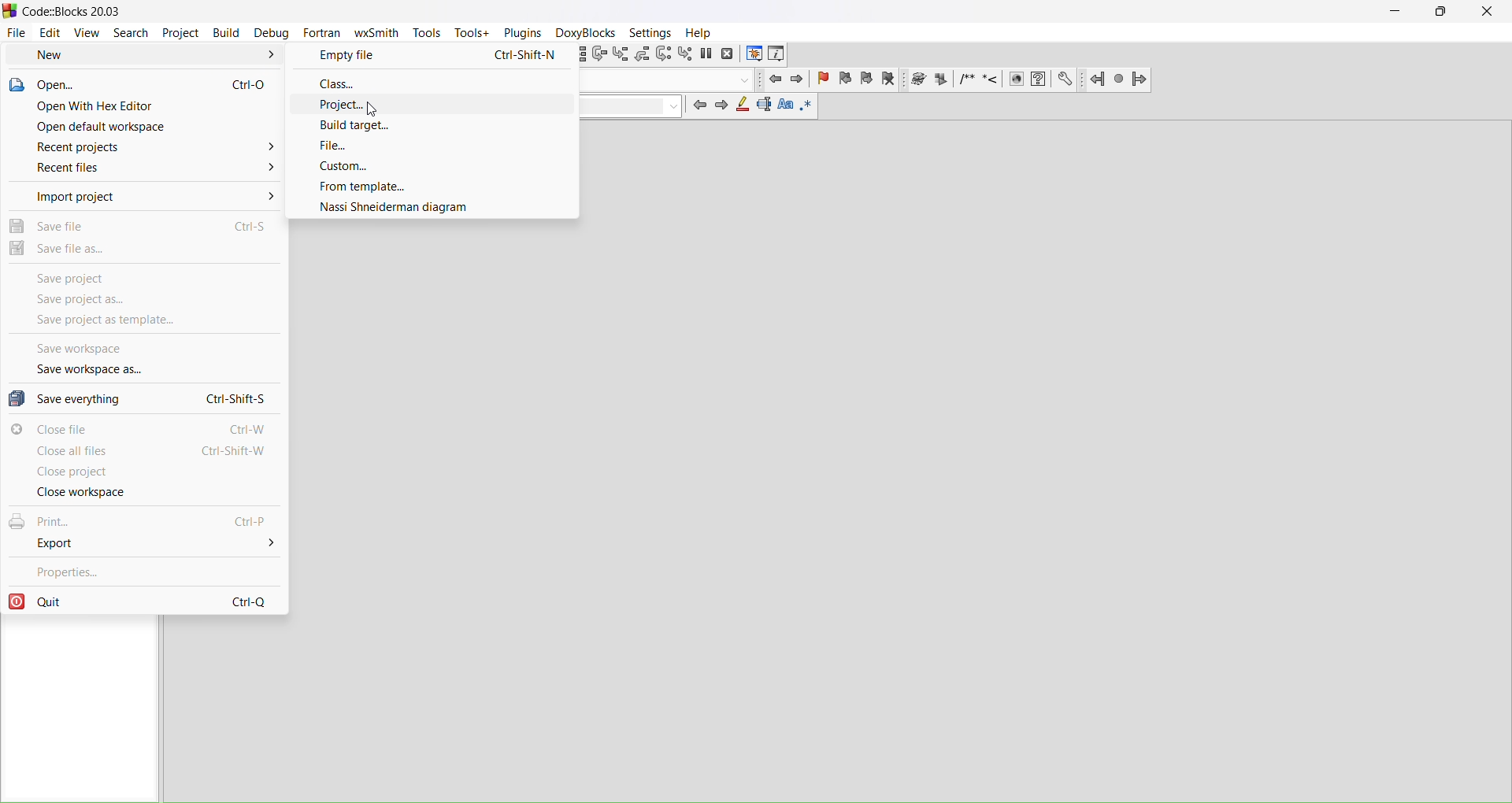 The height and width of the screenshot is (803, 1512). What do you see at coordinates (376, 34) in the screenshot?
I see `wxSmith` at bounding box center [376, 34].